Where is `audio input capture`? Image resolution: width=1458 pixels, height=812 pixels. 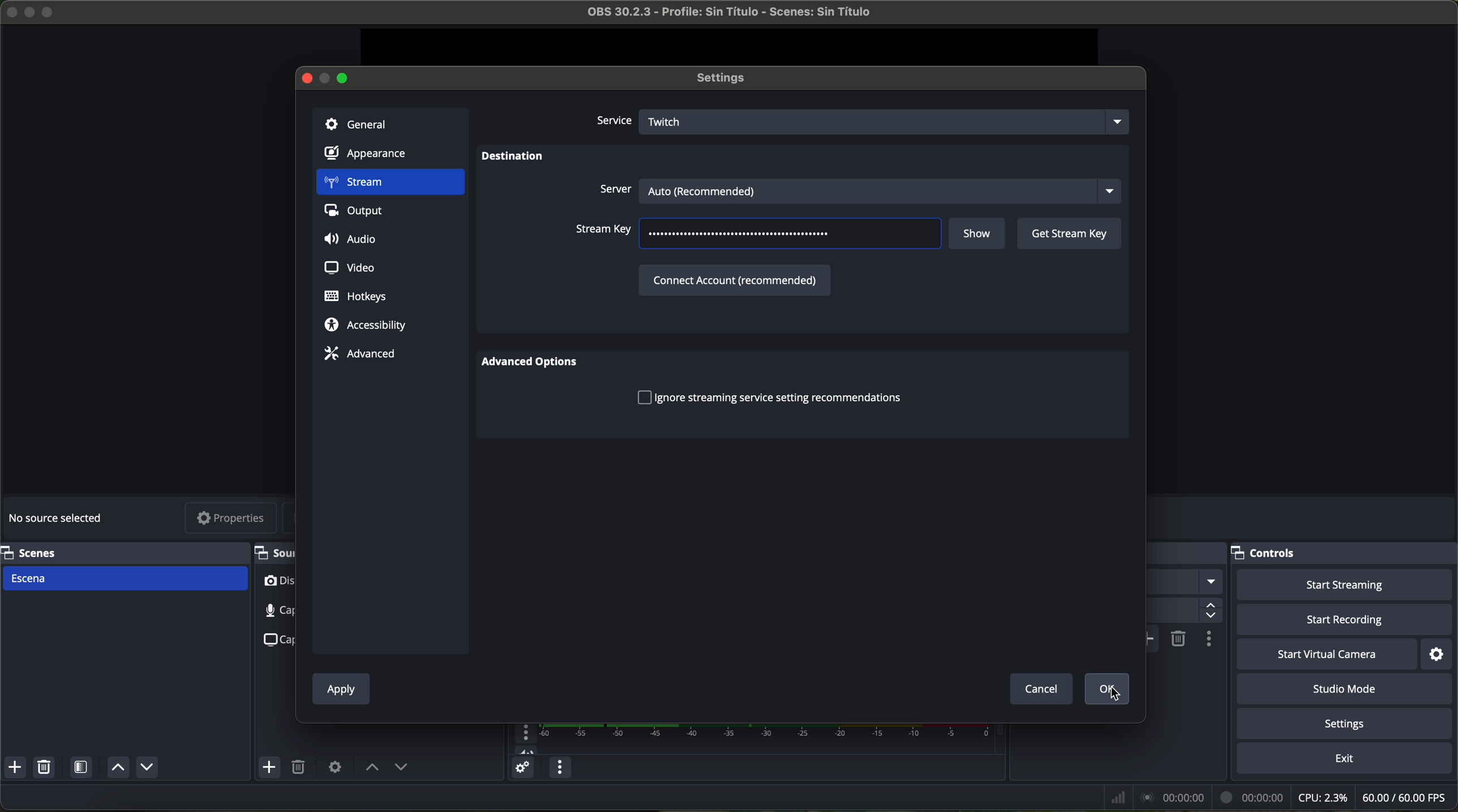 audio input capture is located at coordinates (271, 611).